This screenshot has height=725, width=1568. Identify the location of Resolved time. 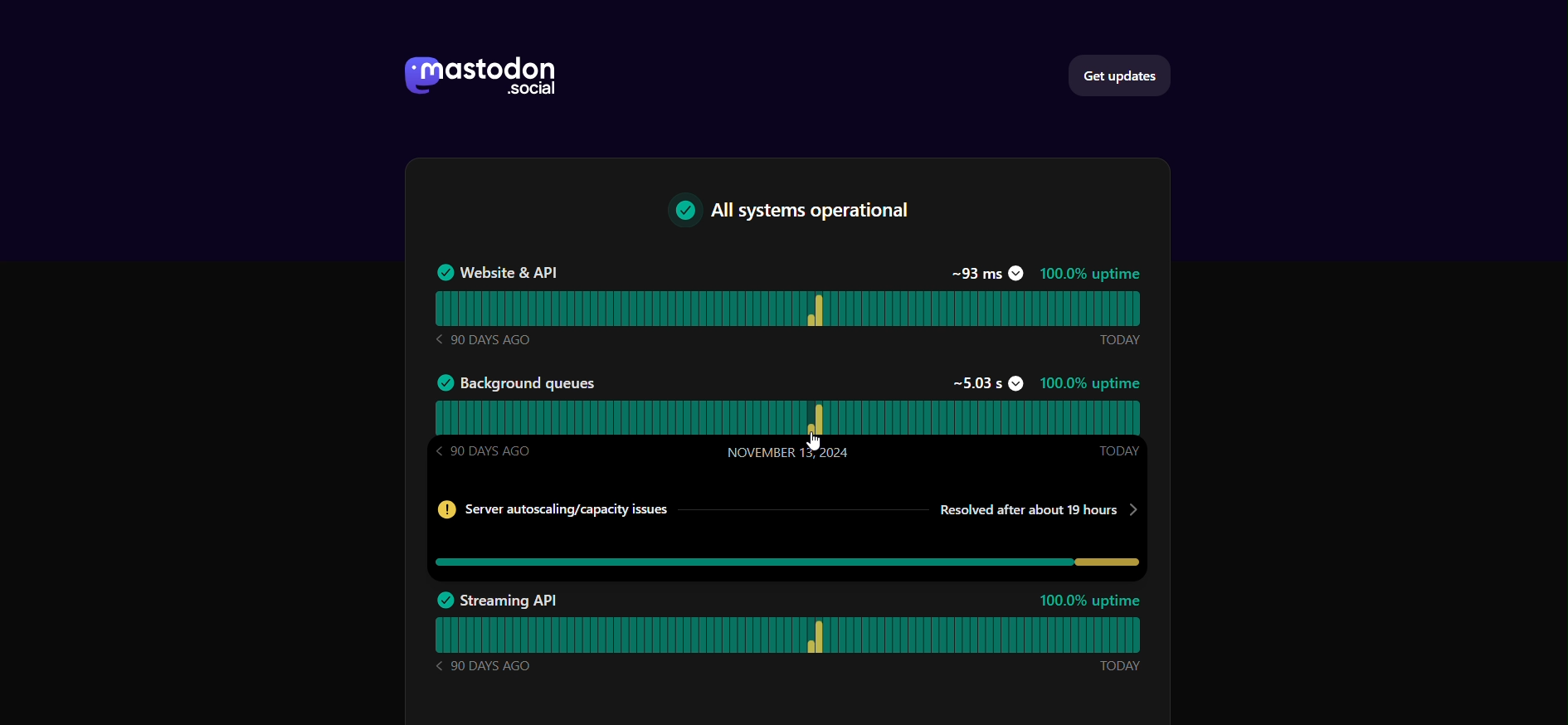
(1037, 511).